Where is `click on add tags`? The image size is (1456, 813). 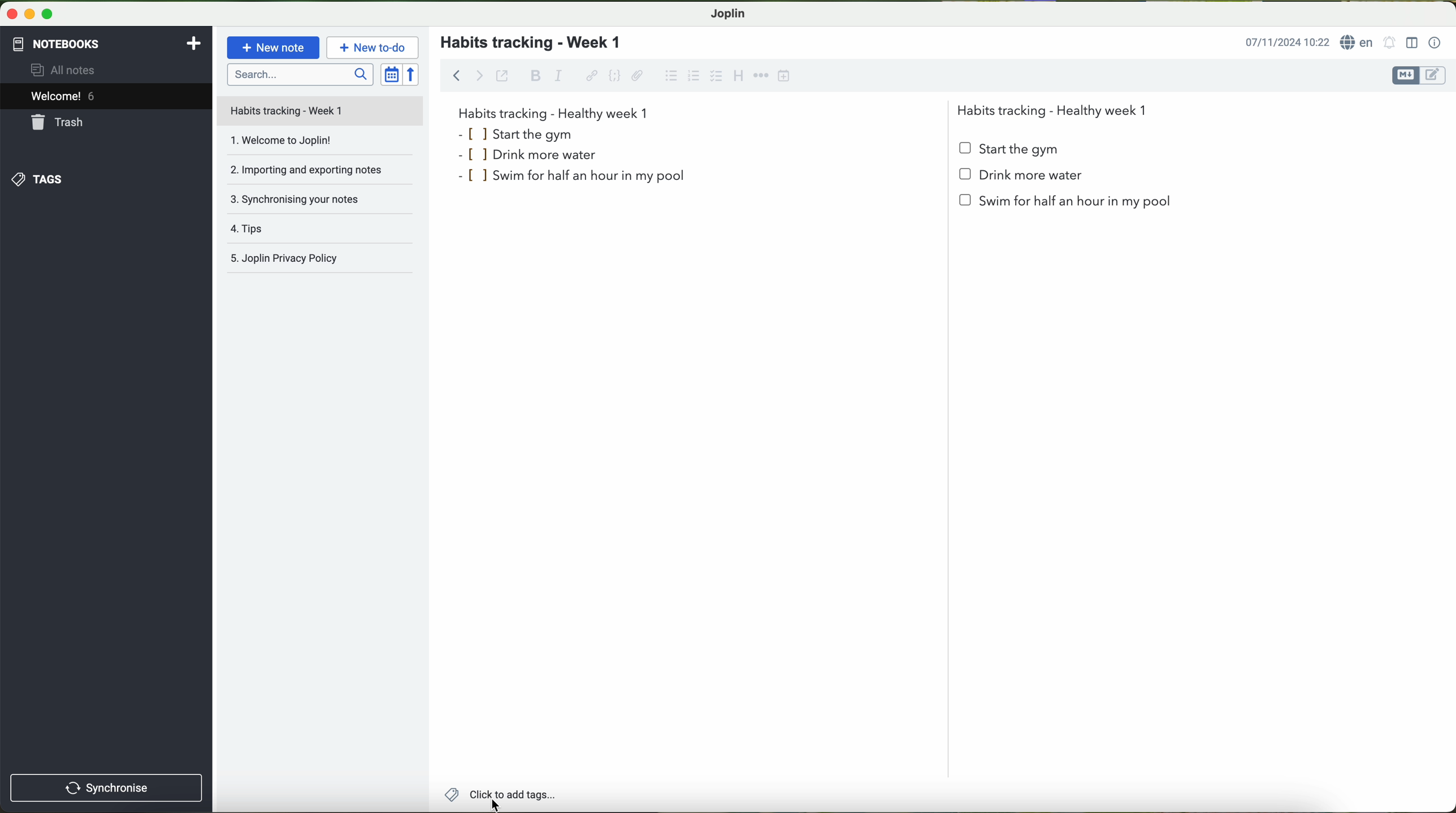
click on add tags is located at coordinates (505, 797).